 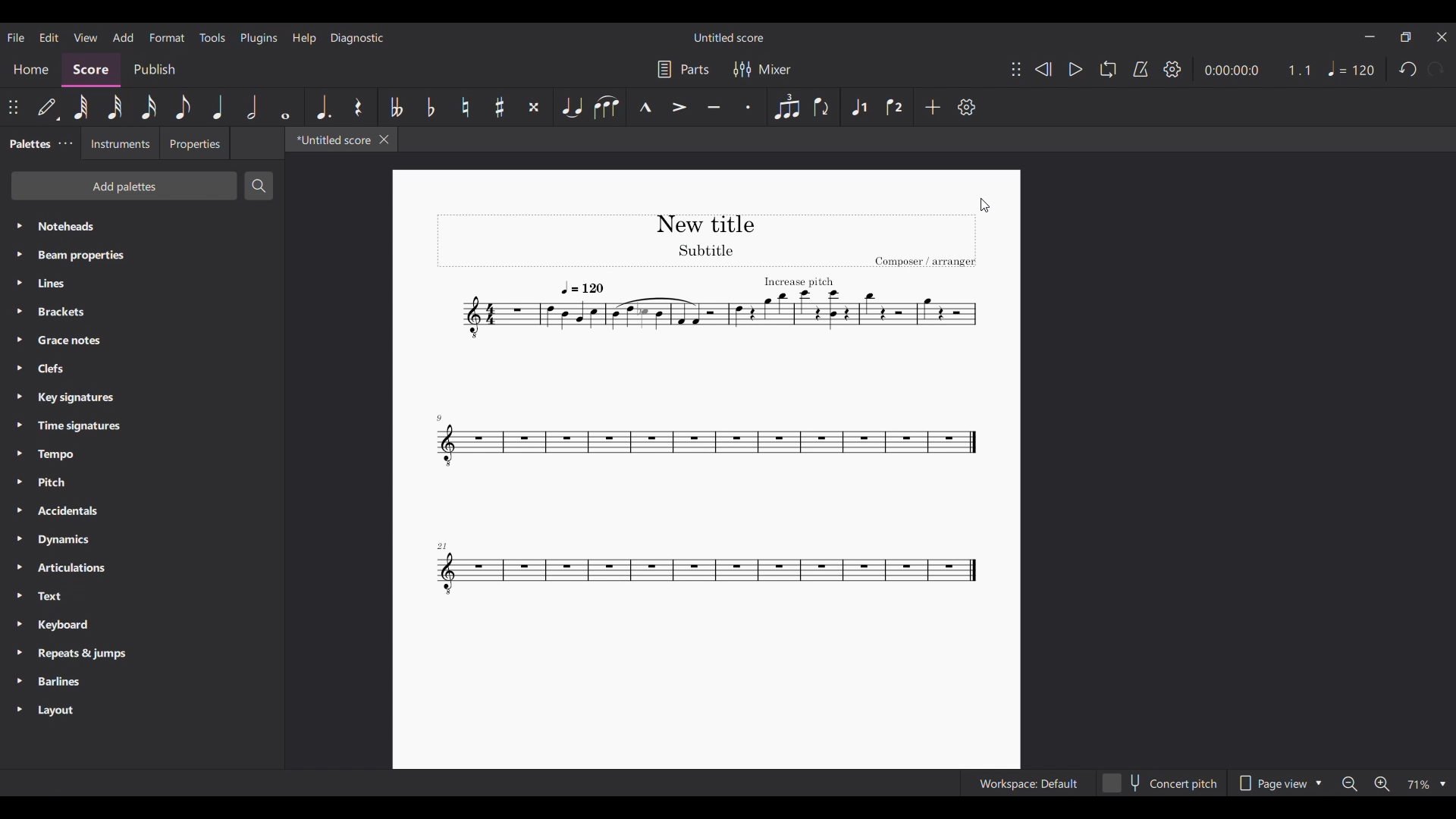 I want to click on Mixer settings, so click(x=762, y=70).